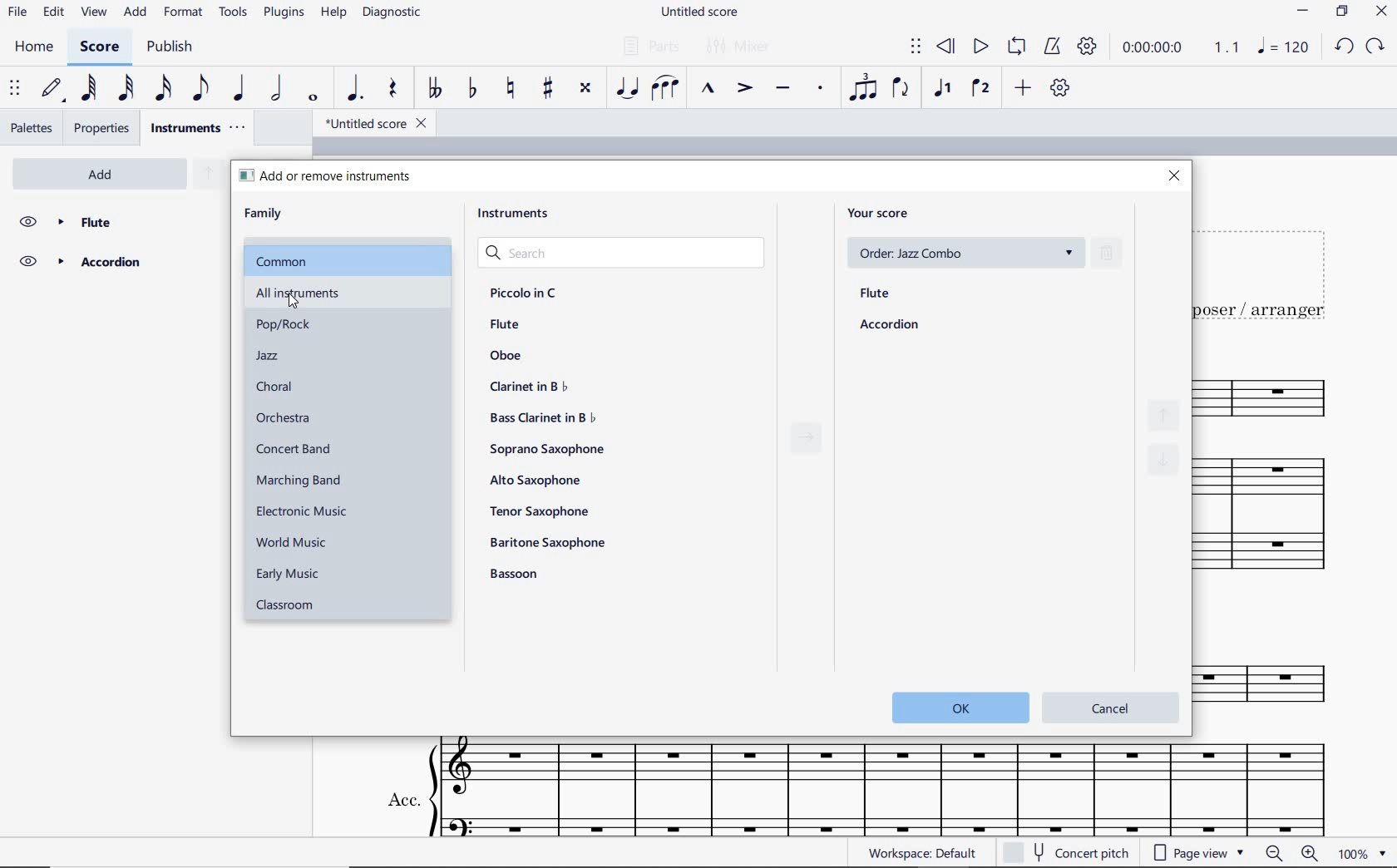 Image resolution: width=1397 pixels, height=868 pixels. What do you see at coordinates (286, 418) in the screenshot?
I see `orchestra` at bounding box center [286, 418].